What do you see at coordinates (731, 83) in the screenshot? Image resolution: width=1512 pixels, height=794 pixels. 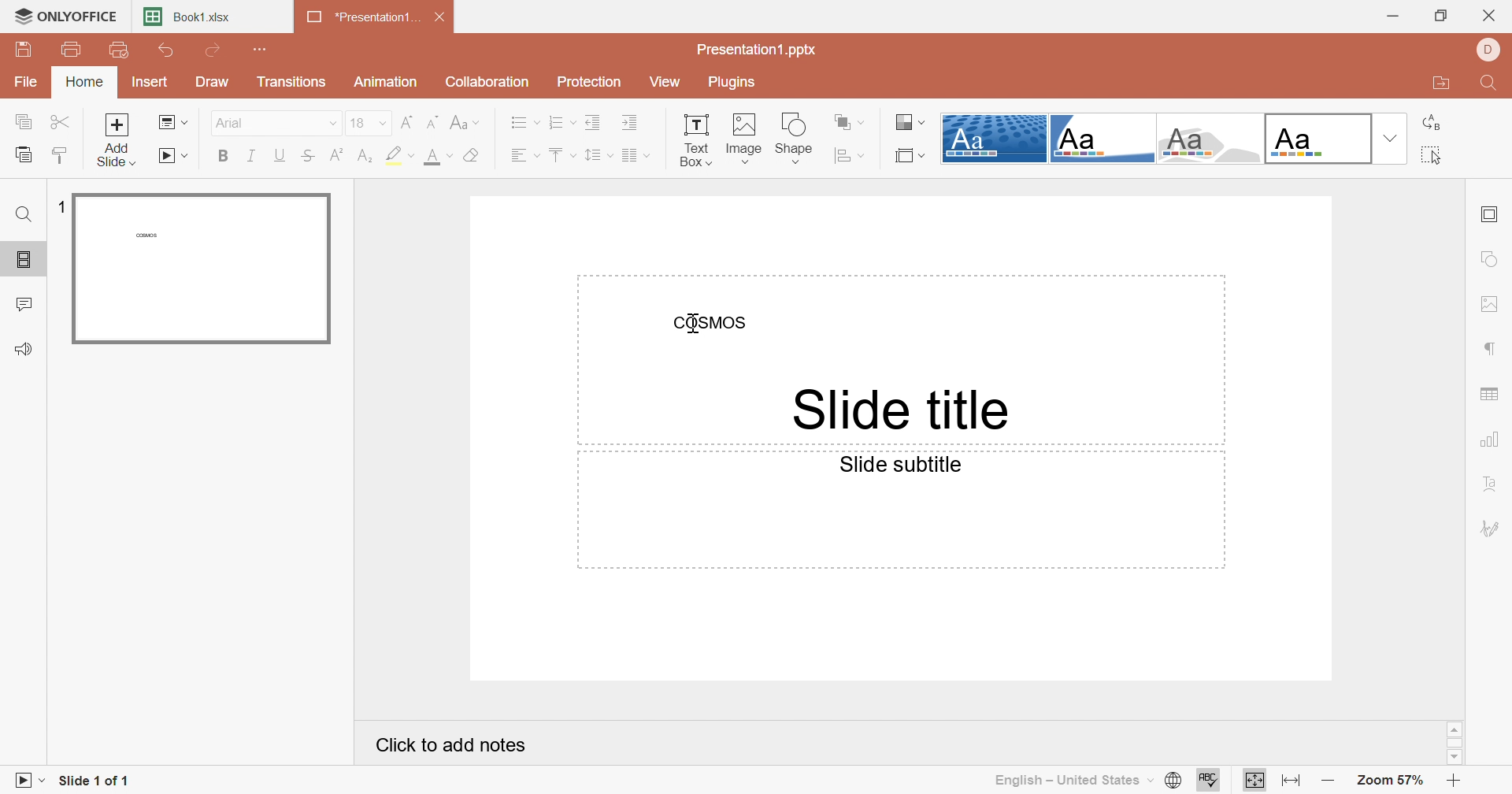 I see `Plugins` at bounding box center [731, 83].